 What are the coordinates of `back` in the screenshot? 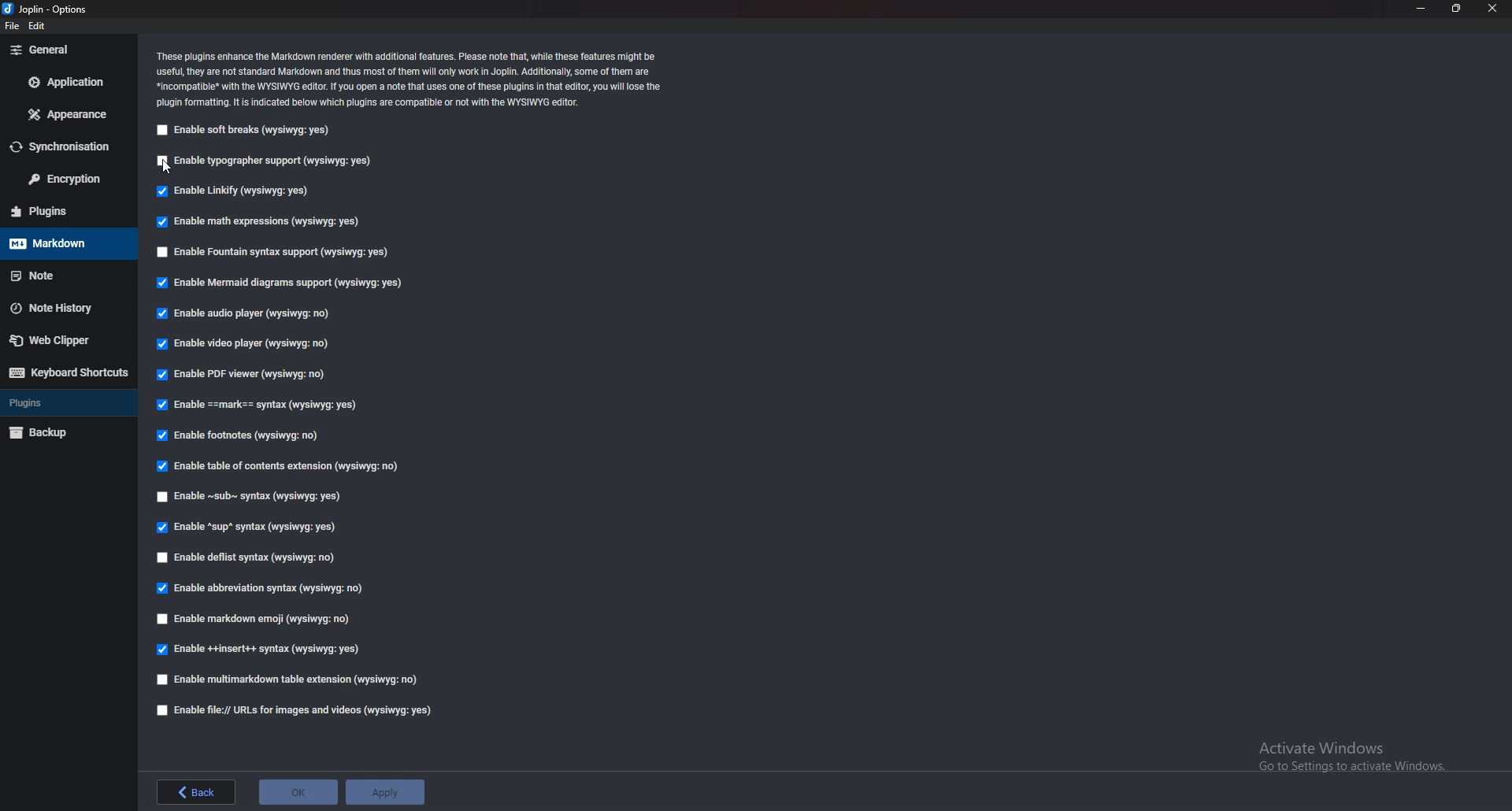 It's located at (196, 791).